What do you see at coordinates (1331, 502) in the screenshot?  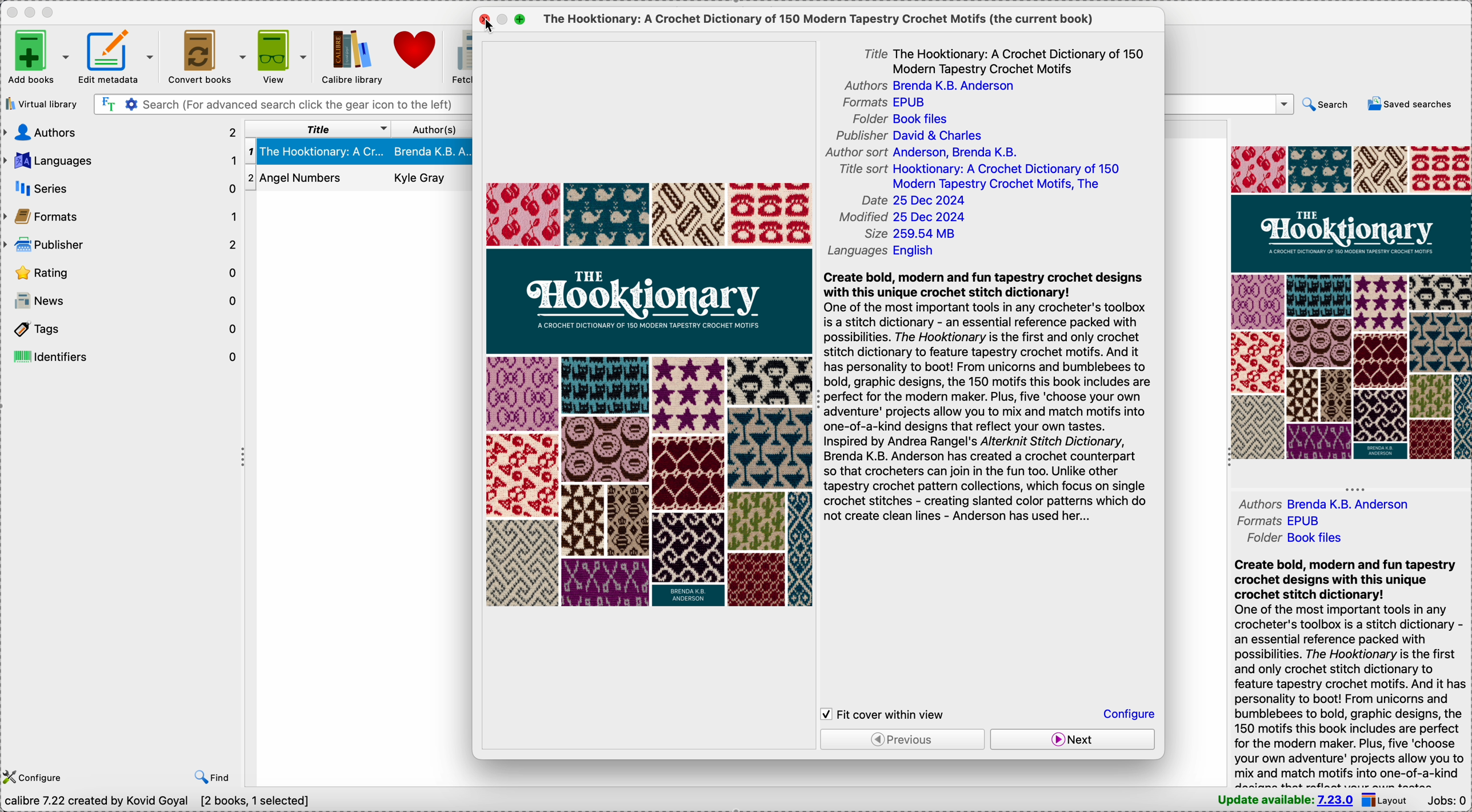 I see `authors` at bounding box center [1331, 502].